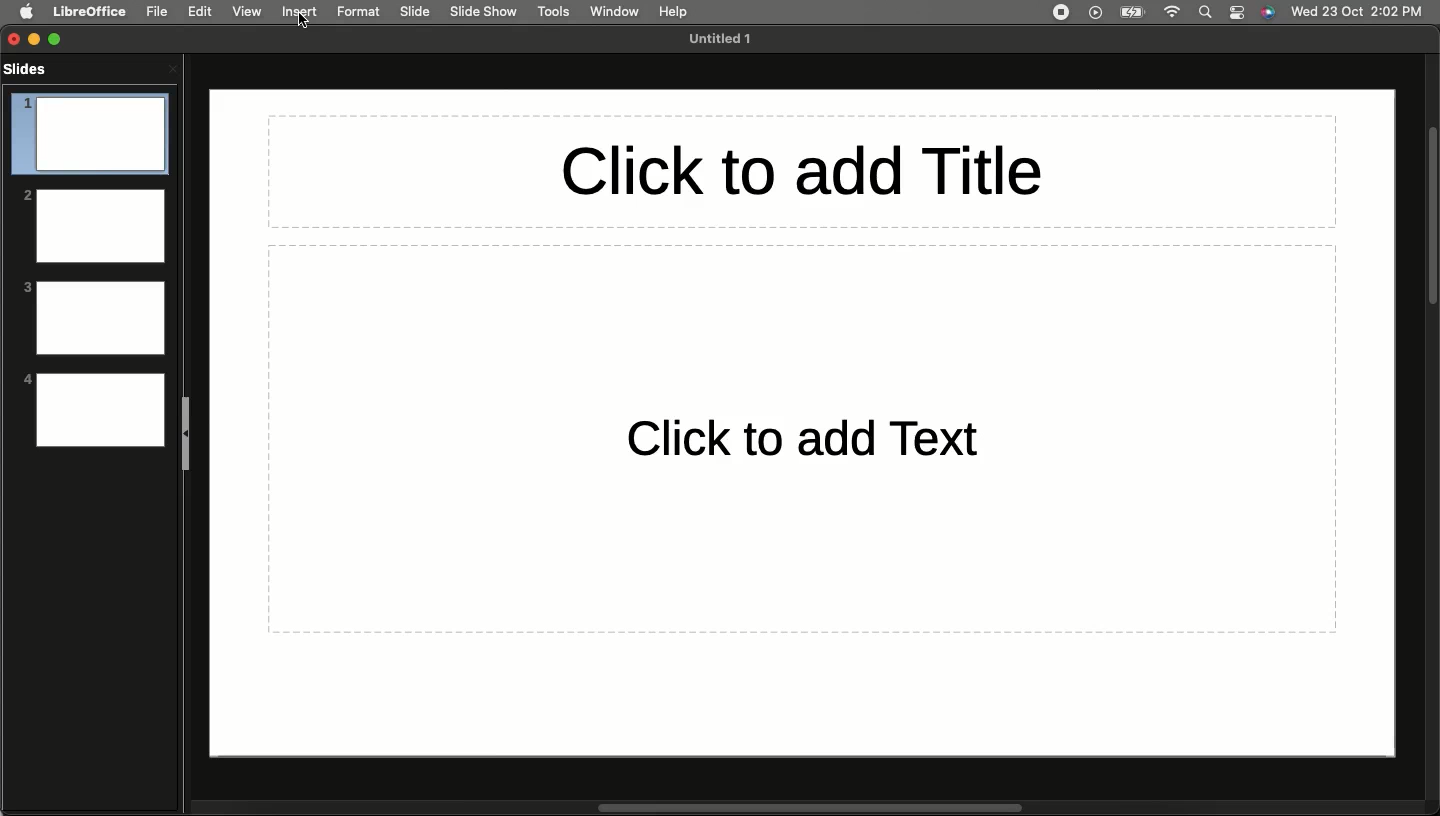 The image size is (1440, 816). What do you see at coordinates (1238, 13) in the screenshot?
I see `Notification bar` at bounding box center [1238, 13].